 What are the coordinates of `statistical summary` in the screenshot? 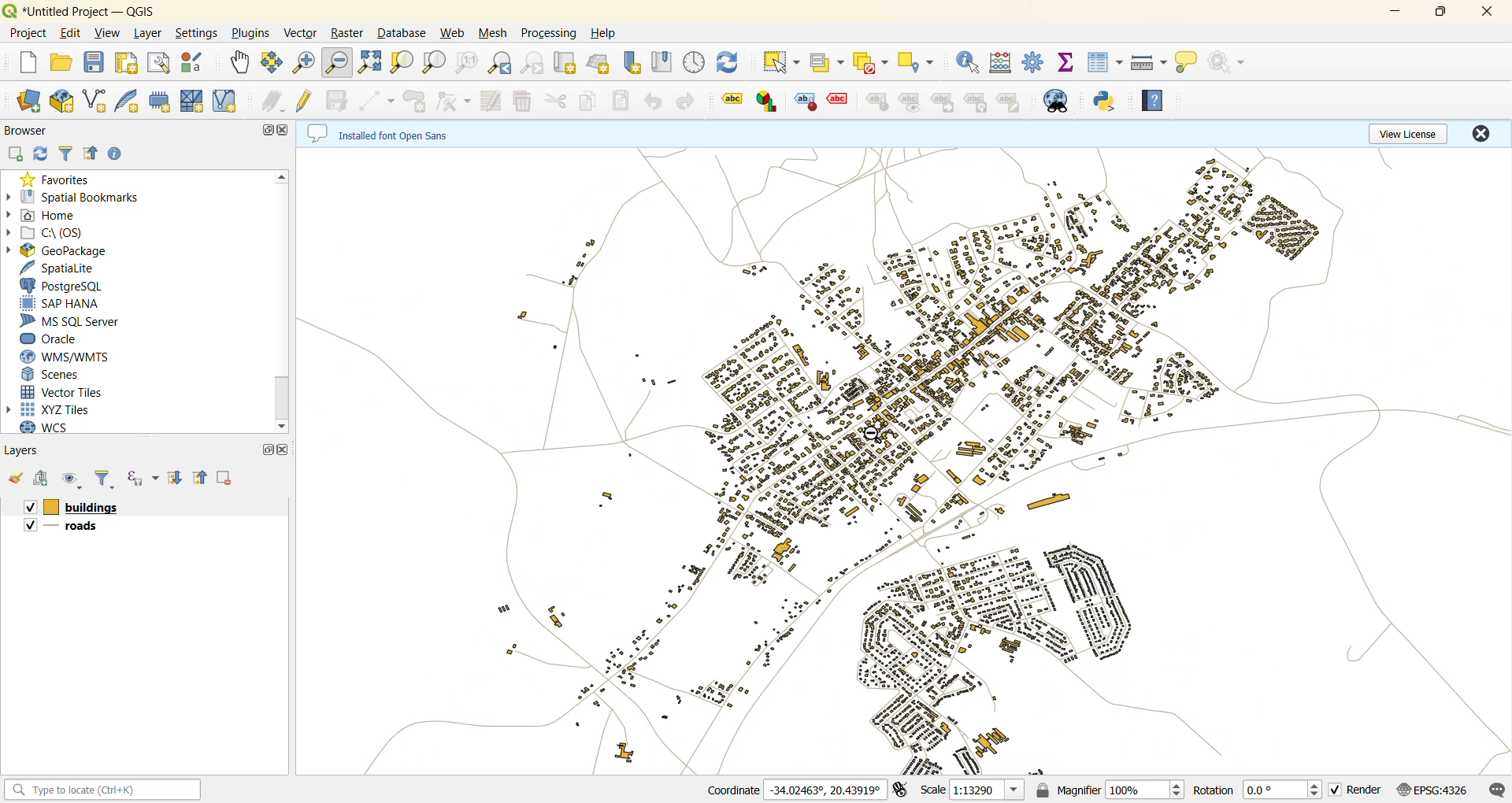 It's located at (1066, 61).